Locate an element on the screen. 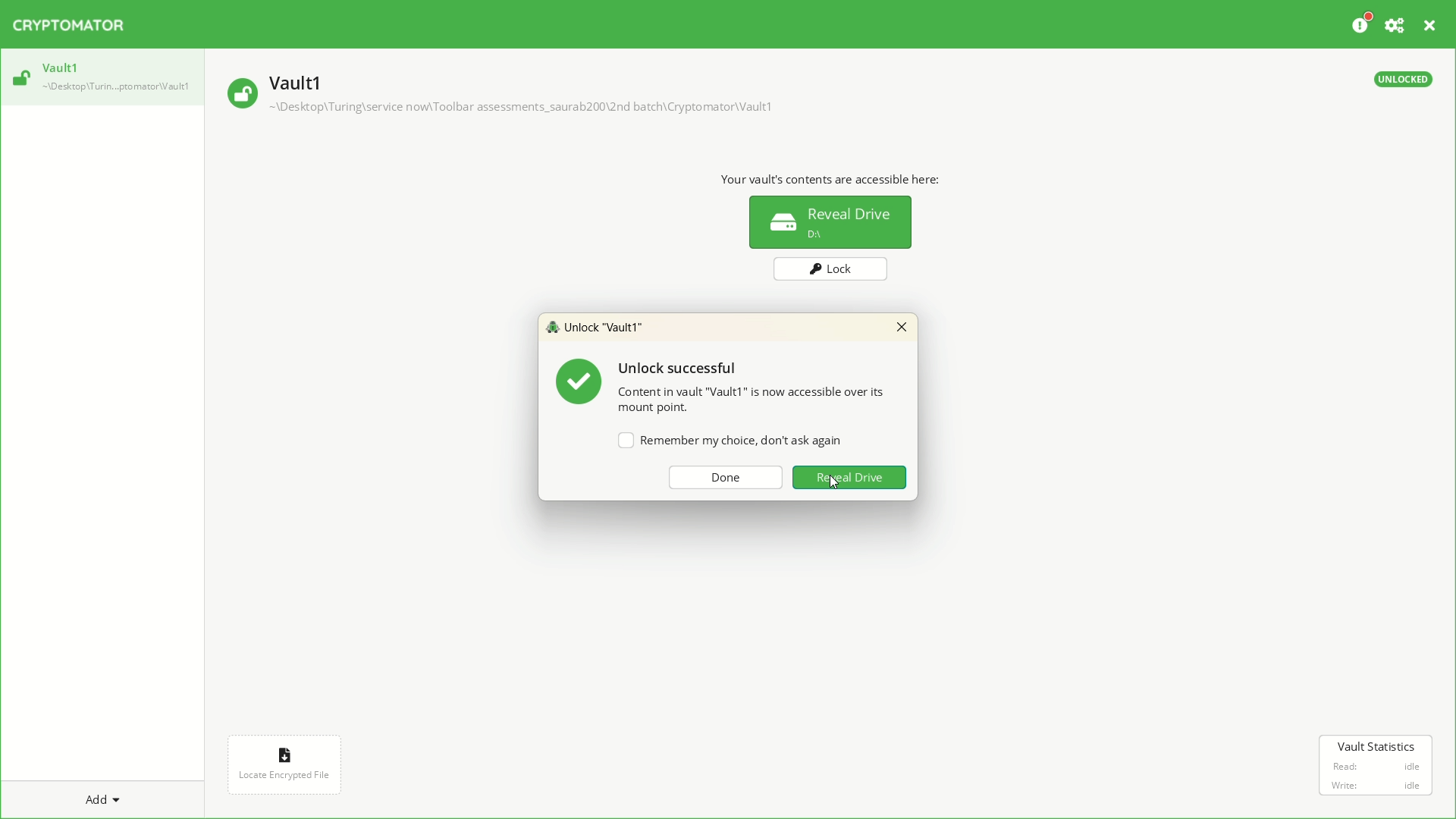 The width and height of the screenshot is (1456, 819). unlock "vault1" is located at coordinates (602, 329).